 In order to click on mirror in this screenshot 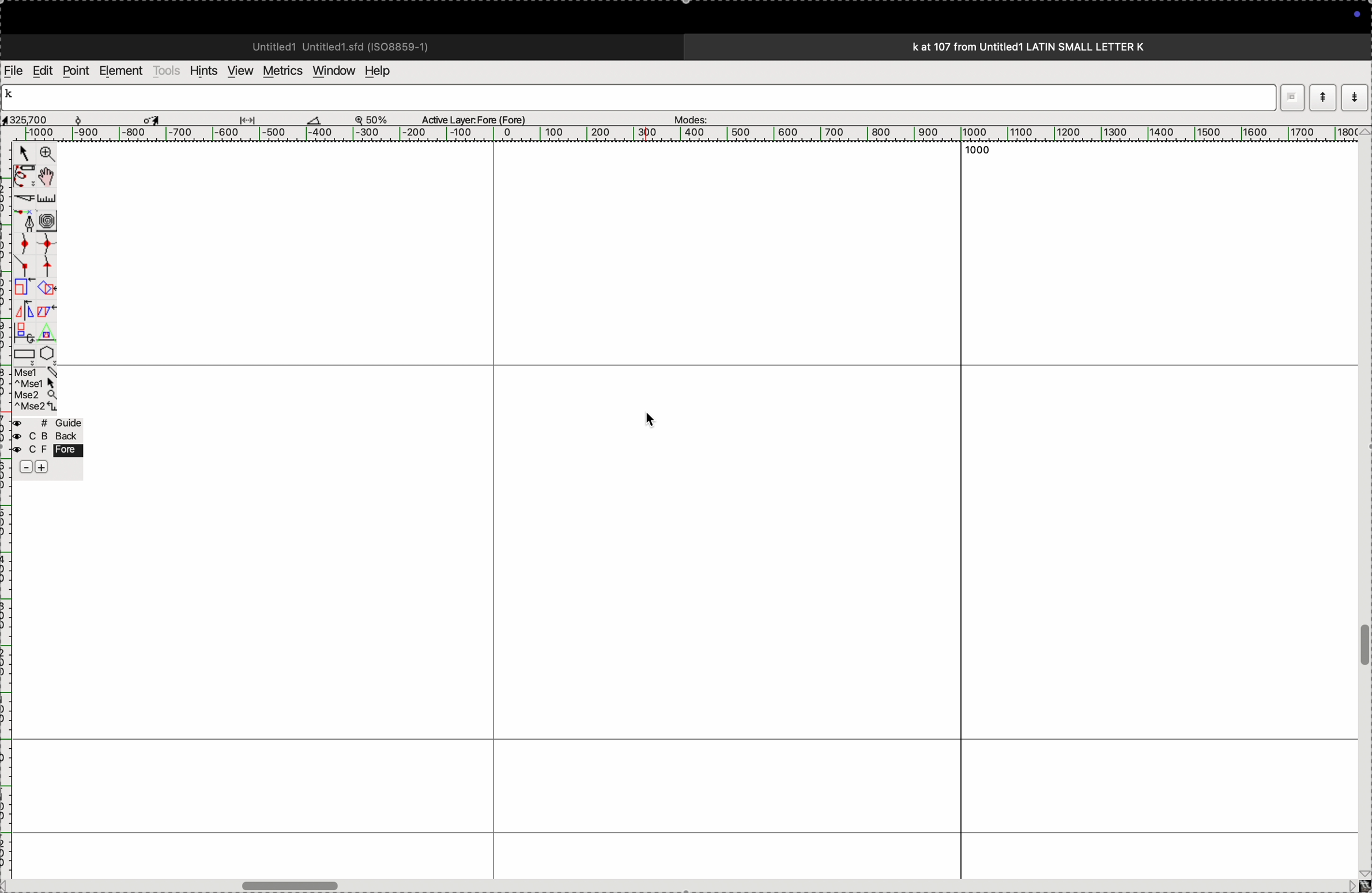, I will do `click(24, 320)`.